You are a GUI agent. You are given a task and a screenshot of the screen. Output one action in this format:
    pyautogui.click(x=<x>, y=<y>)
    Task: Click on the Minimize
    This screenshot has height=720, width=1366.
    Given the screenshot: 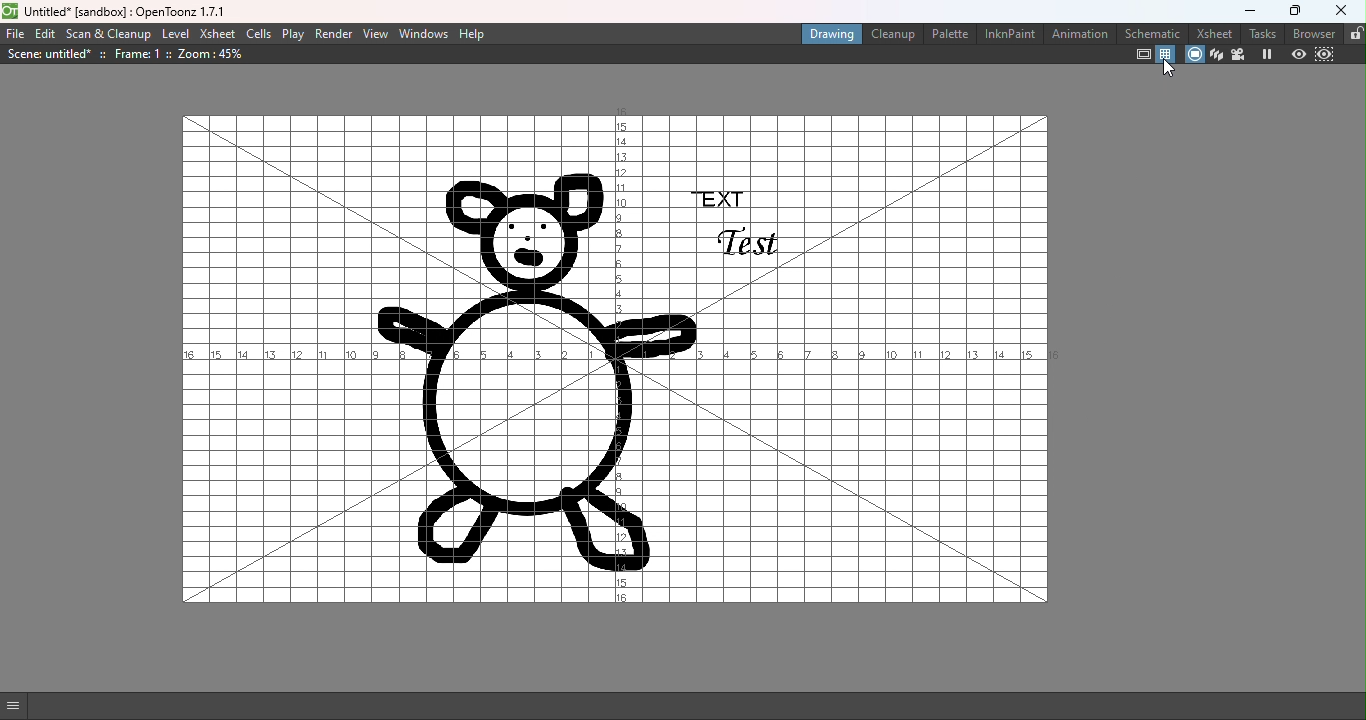 What is the action you would take?
    pyautogui.click(x=1243, y=12)
    